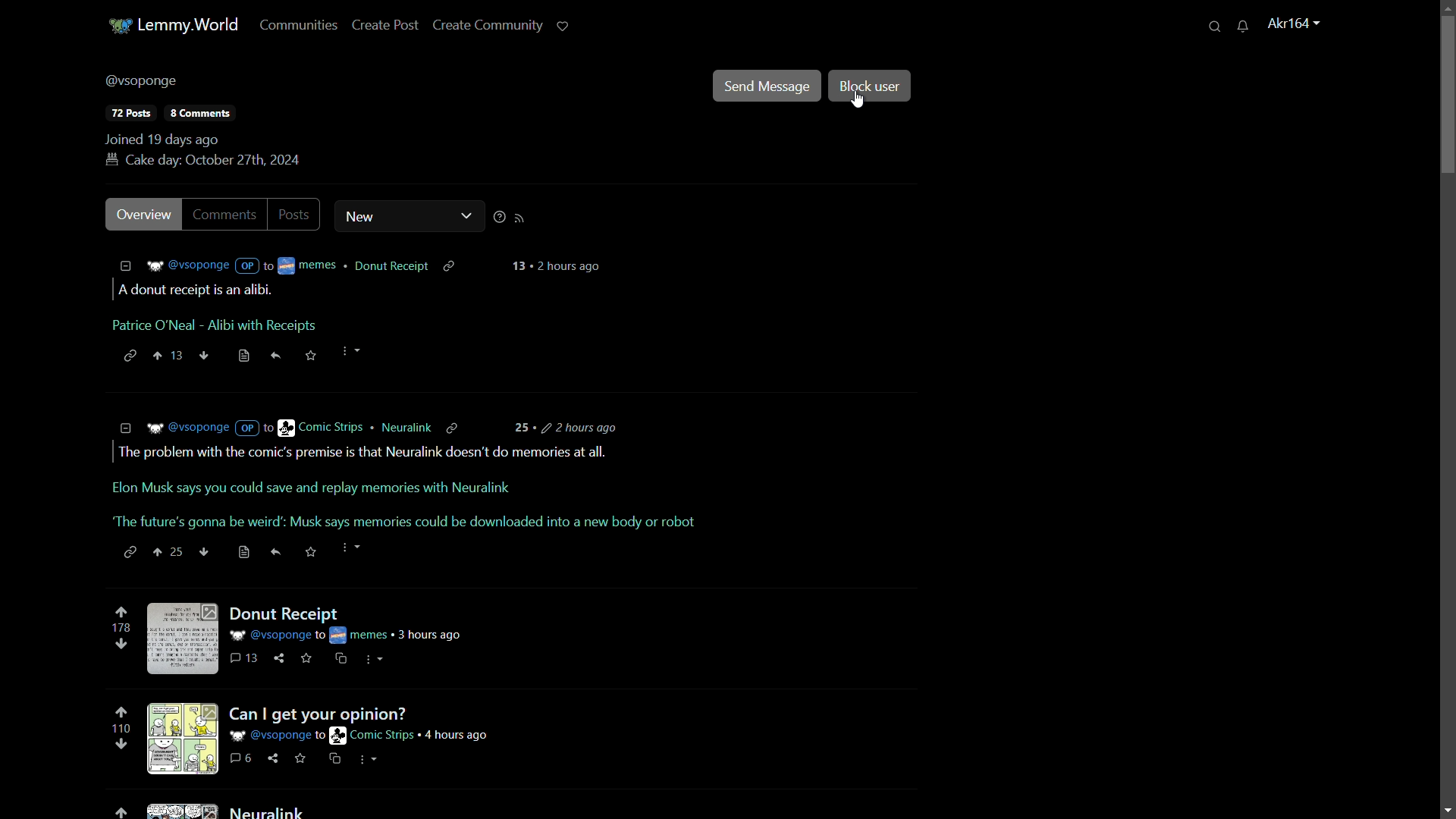 The height and width of the screenshot is (819, 1456). I want to click on share, so click(279, 662).